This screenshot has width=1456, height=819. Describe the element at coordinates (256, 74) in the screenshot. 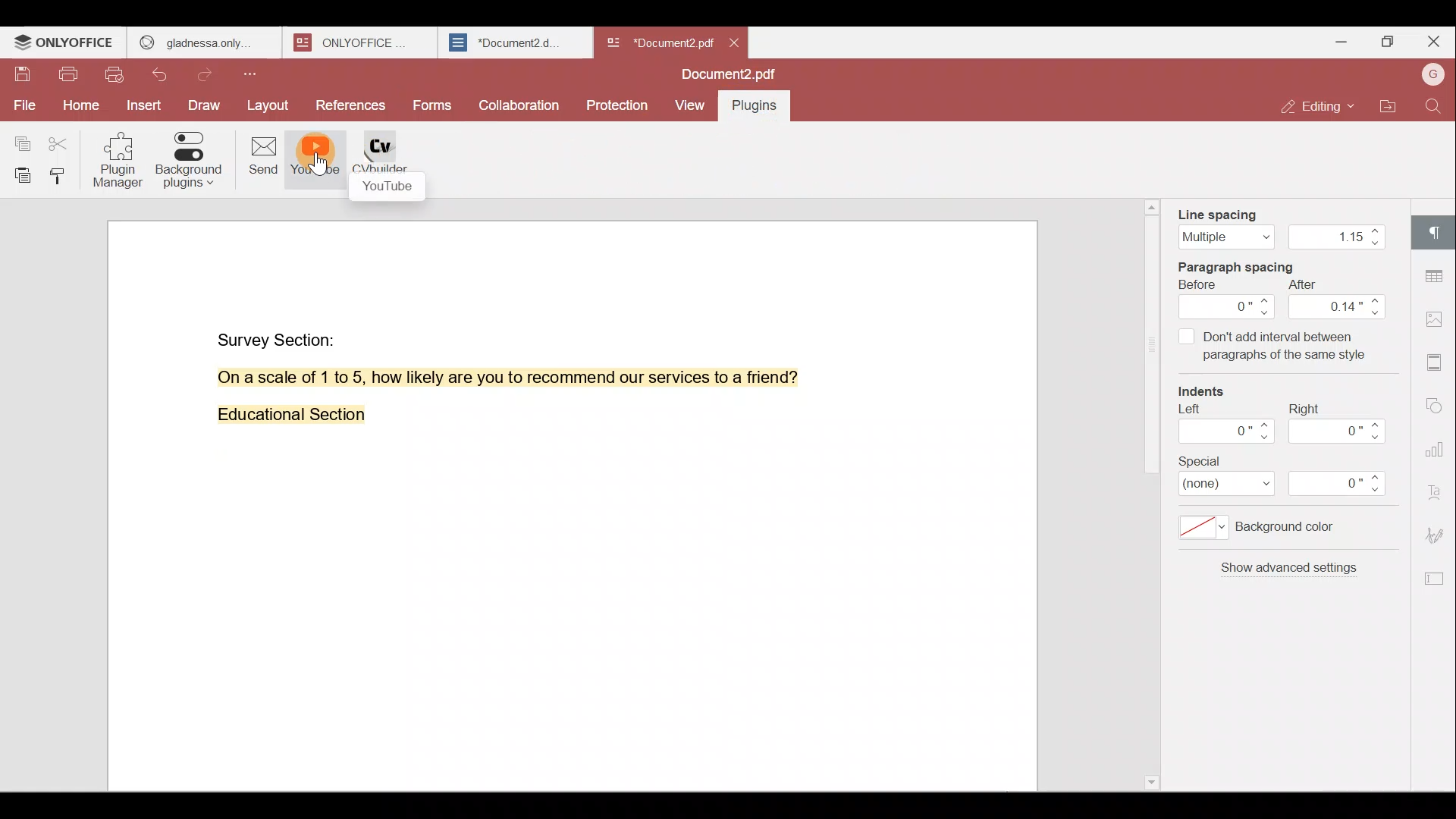

I see `Customize quick access toolbar` at that location.